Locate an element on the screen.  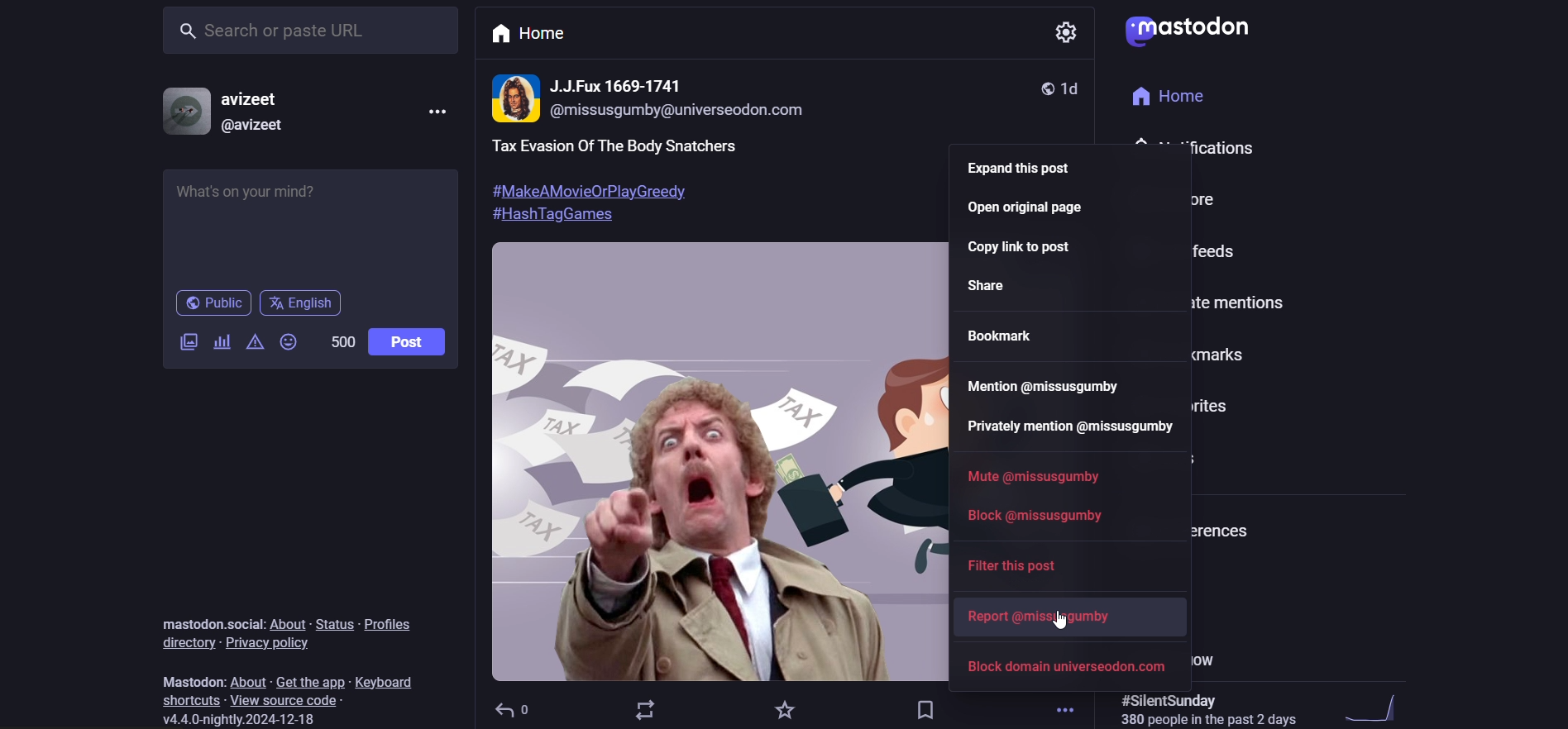
setting is located at coordinates (1069, 31).